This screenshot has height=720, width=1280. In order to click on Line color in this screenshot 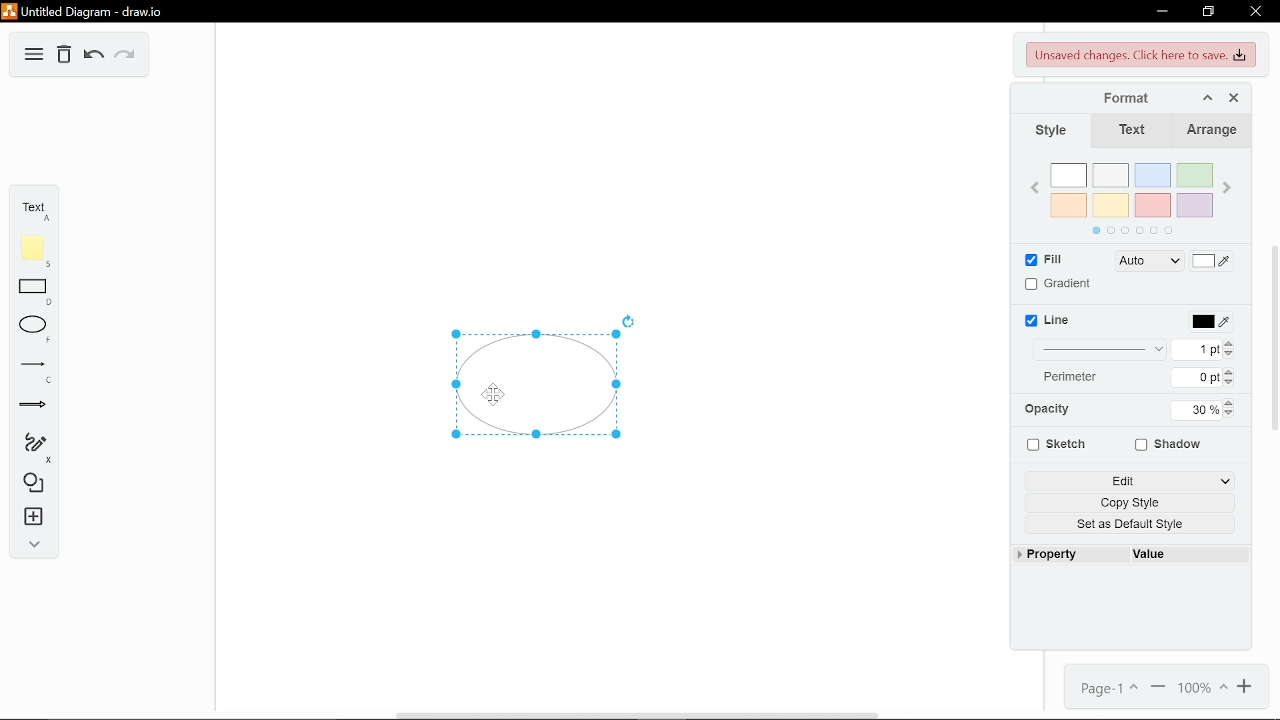, I will do `click(1051, 320)`.